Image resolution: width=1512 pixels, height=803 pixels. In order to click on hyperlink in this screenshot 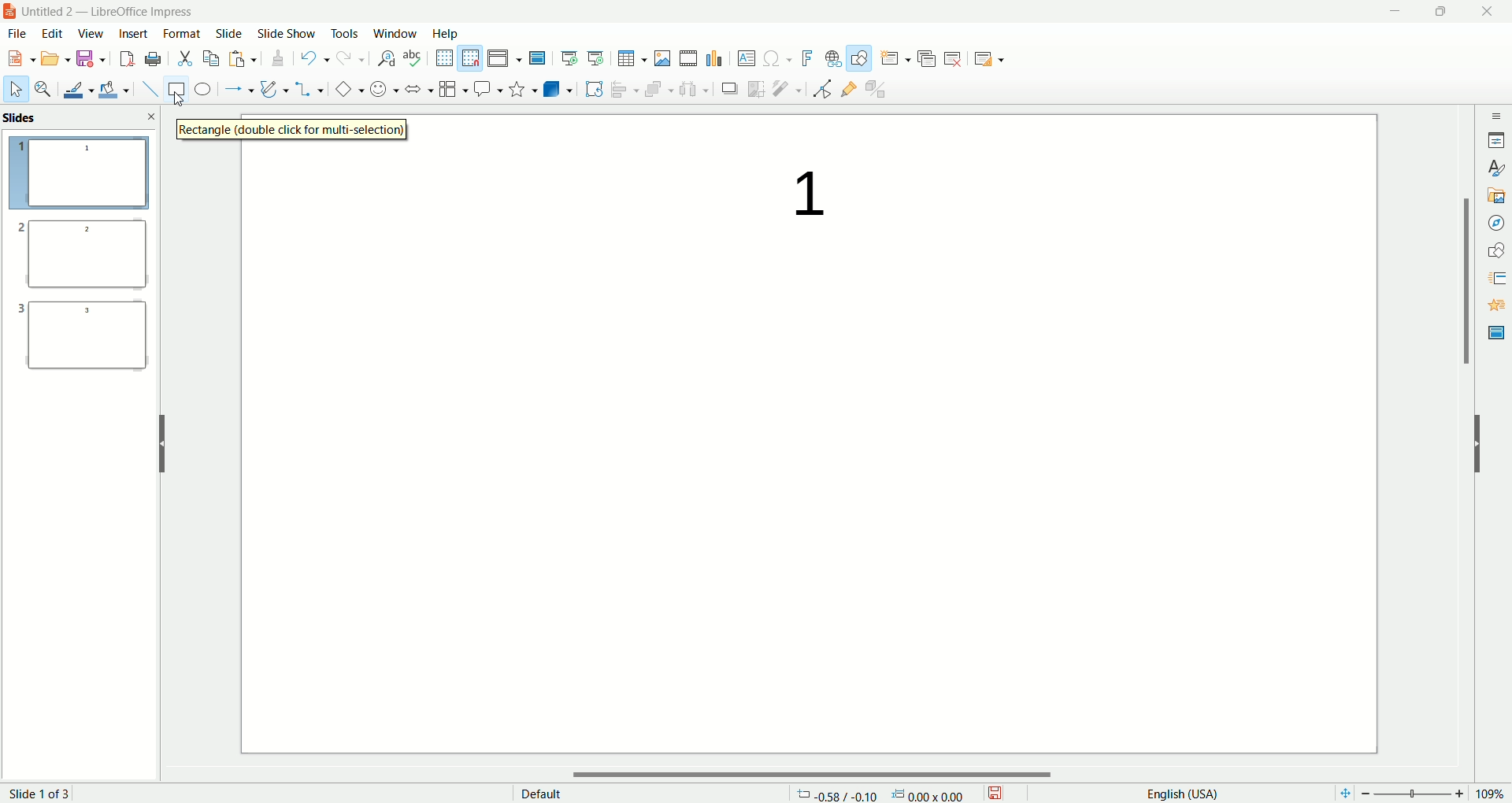, I will do `click(830, 59)`.